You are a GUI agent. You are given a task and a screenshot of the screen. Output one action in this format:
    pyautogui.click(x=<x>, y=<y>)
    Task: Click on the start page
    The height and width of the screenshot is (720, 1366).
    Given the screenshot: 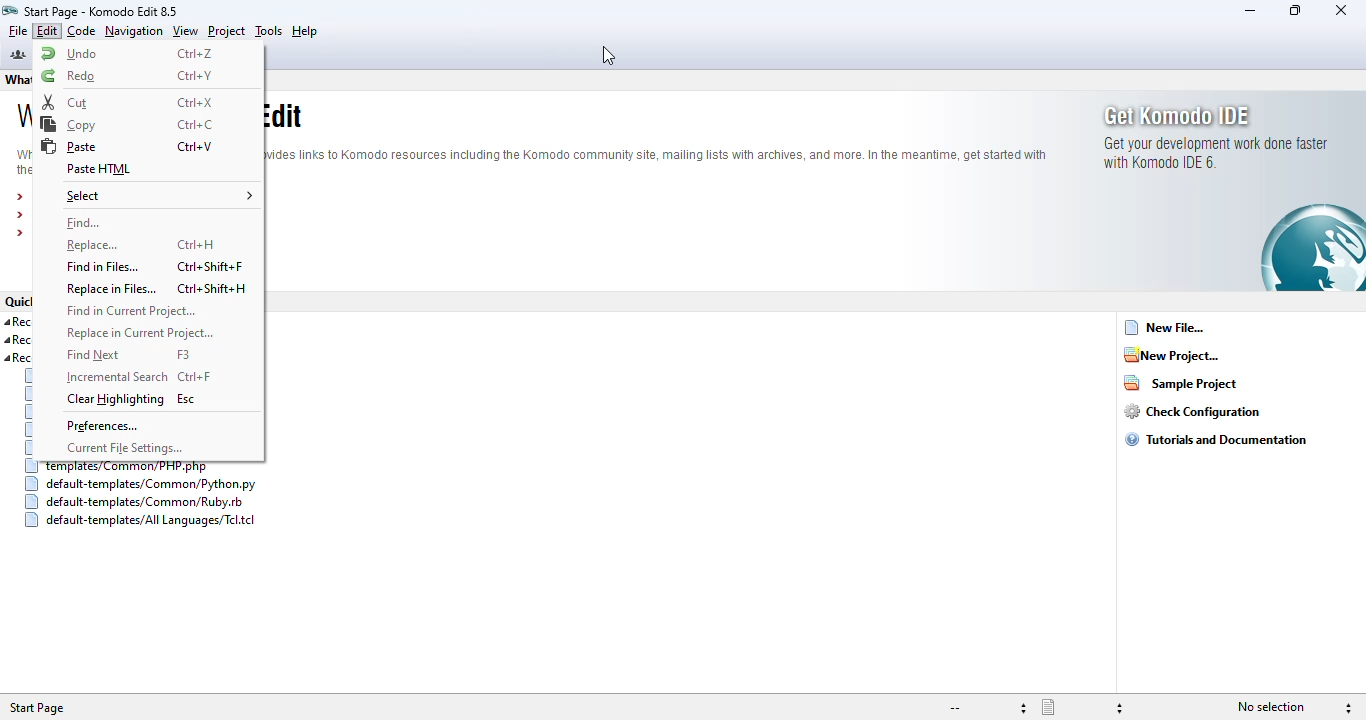 What is the action you would take?
    pyautogui.click(x=102, y=12)
    